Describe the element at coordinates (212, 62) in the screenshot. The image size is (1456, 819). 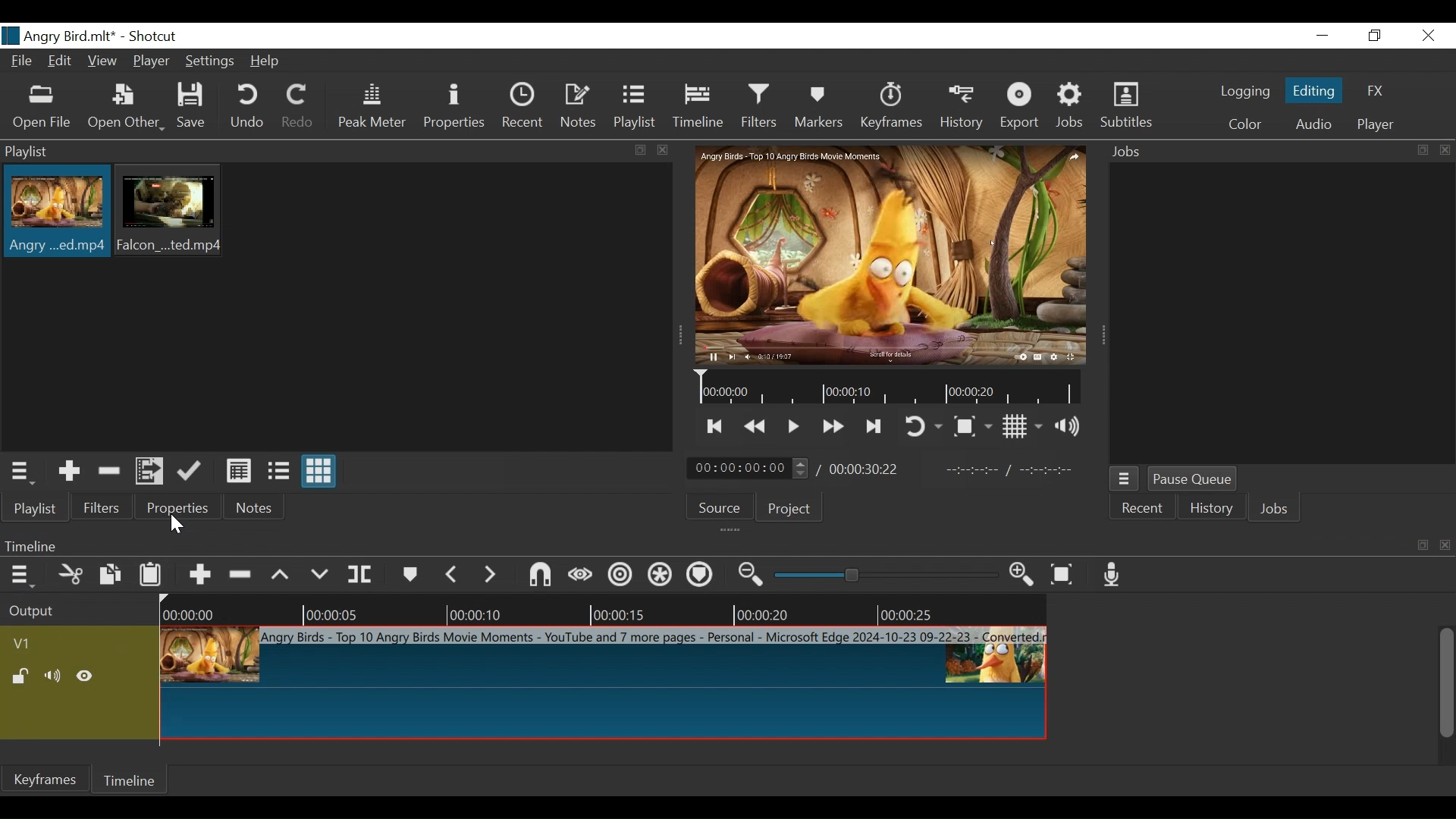
I see `Settings` at that location.